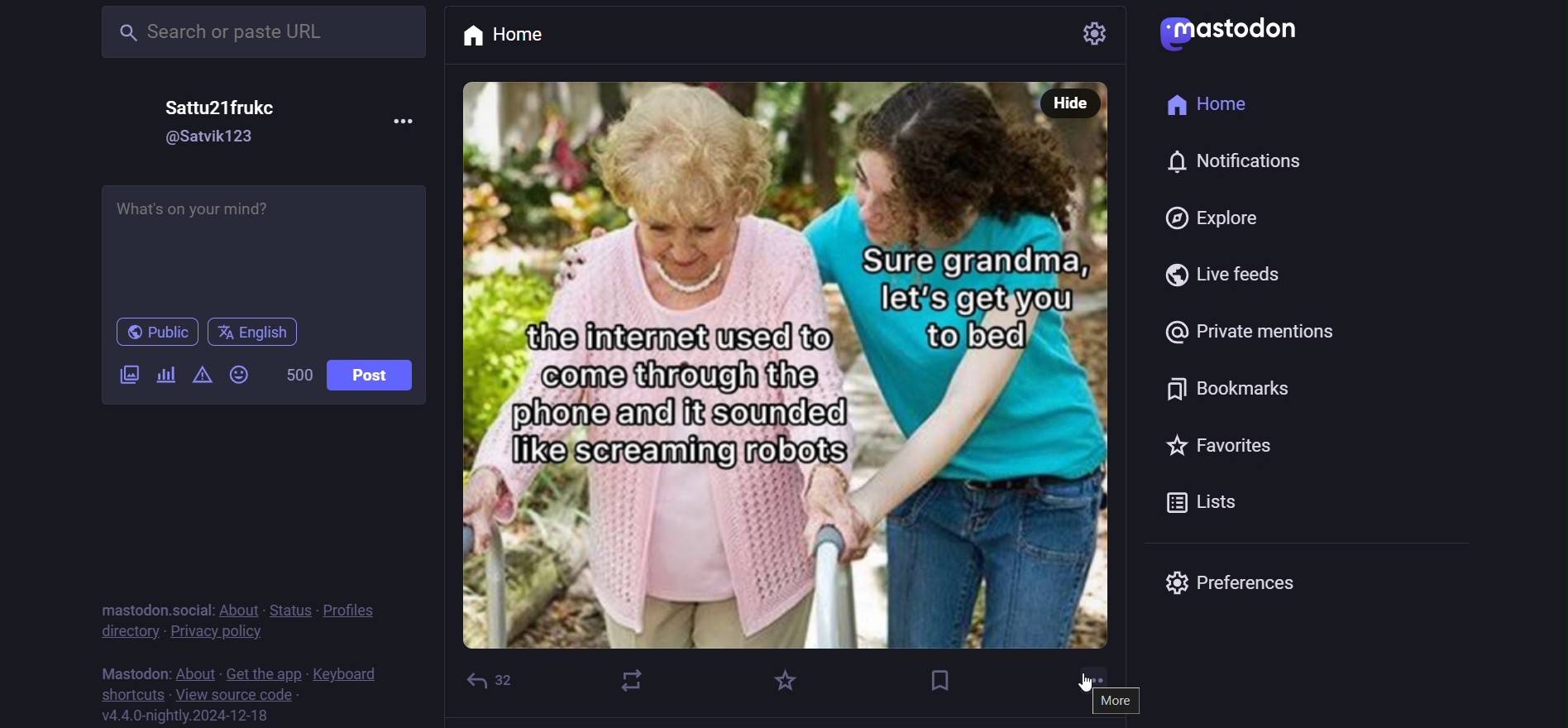 The height and width of the screenshot is (728, 1568). I want to click on Sattu21frukc, so click(222, 108).